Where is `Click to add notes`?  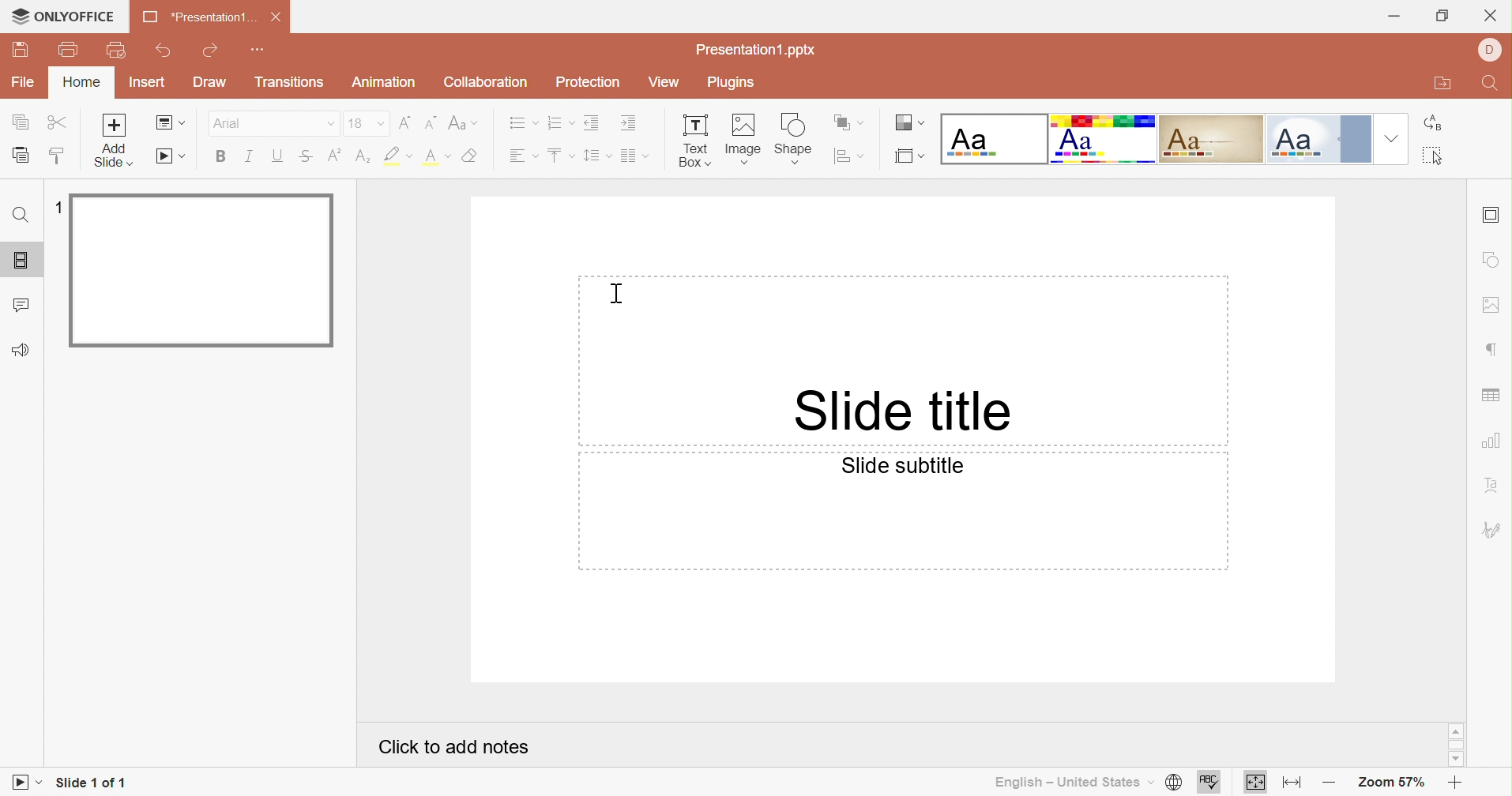 Click to add notes is located at coordinates (454, 744).